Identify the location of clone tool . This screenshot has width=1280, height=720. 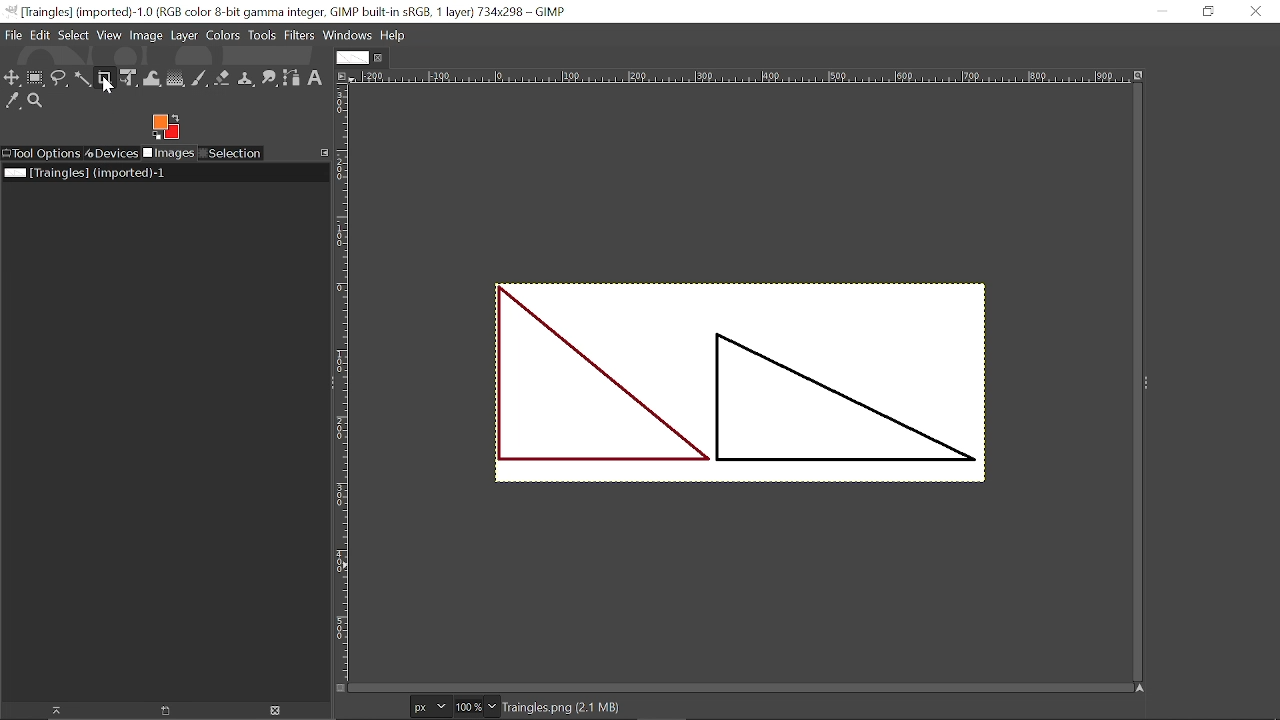
(245, 79).